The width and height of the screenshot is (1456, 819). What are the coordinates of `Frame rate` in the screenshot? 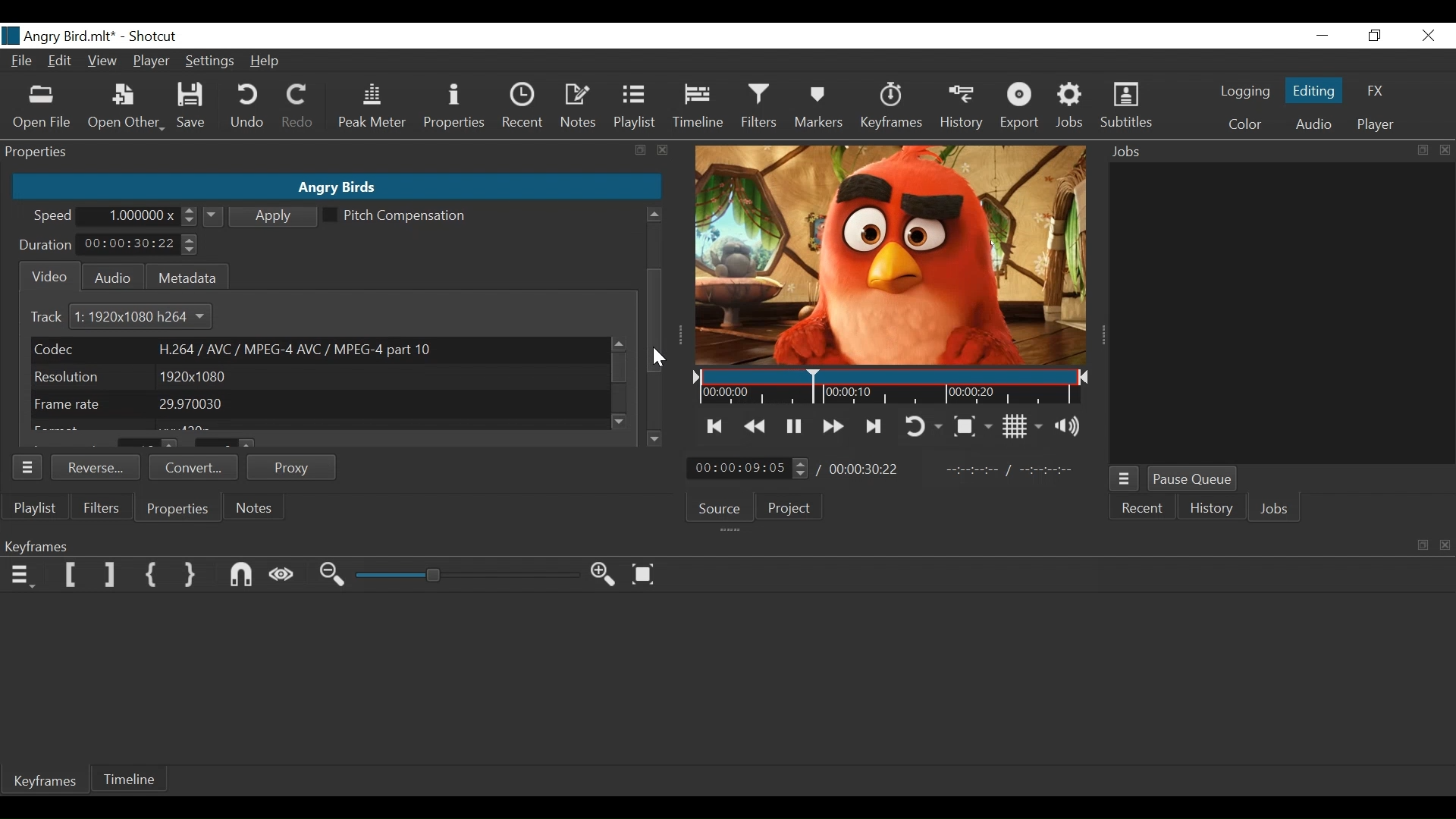 It's located at (319, 404).